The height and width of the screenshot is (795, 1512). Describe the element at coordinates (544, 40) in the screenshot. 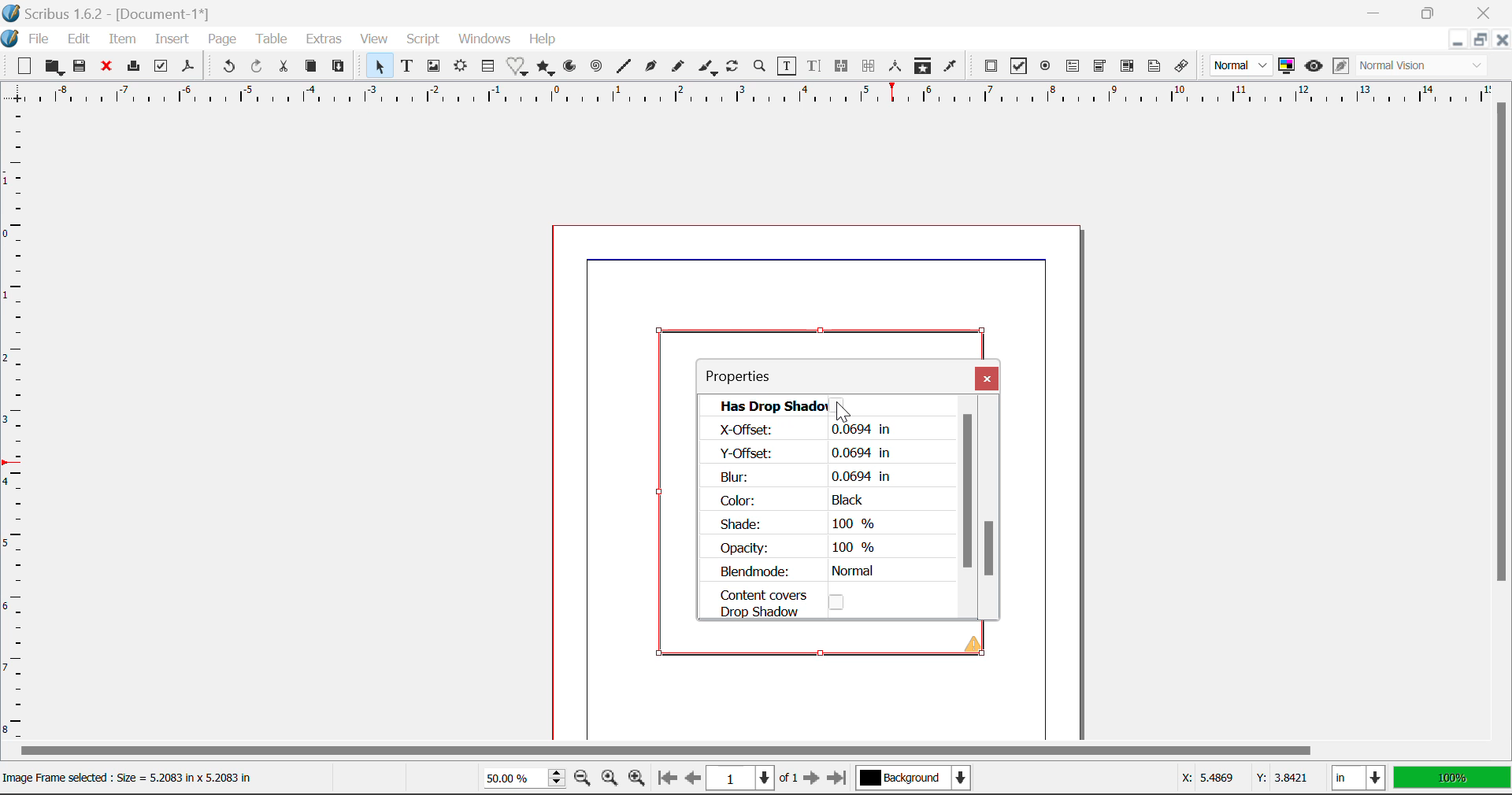

I see `Help` at that location.